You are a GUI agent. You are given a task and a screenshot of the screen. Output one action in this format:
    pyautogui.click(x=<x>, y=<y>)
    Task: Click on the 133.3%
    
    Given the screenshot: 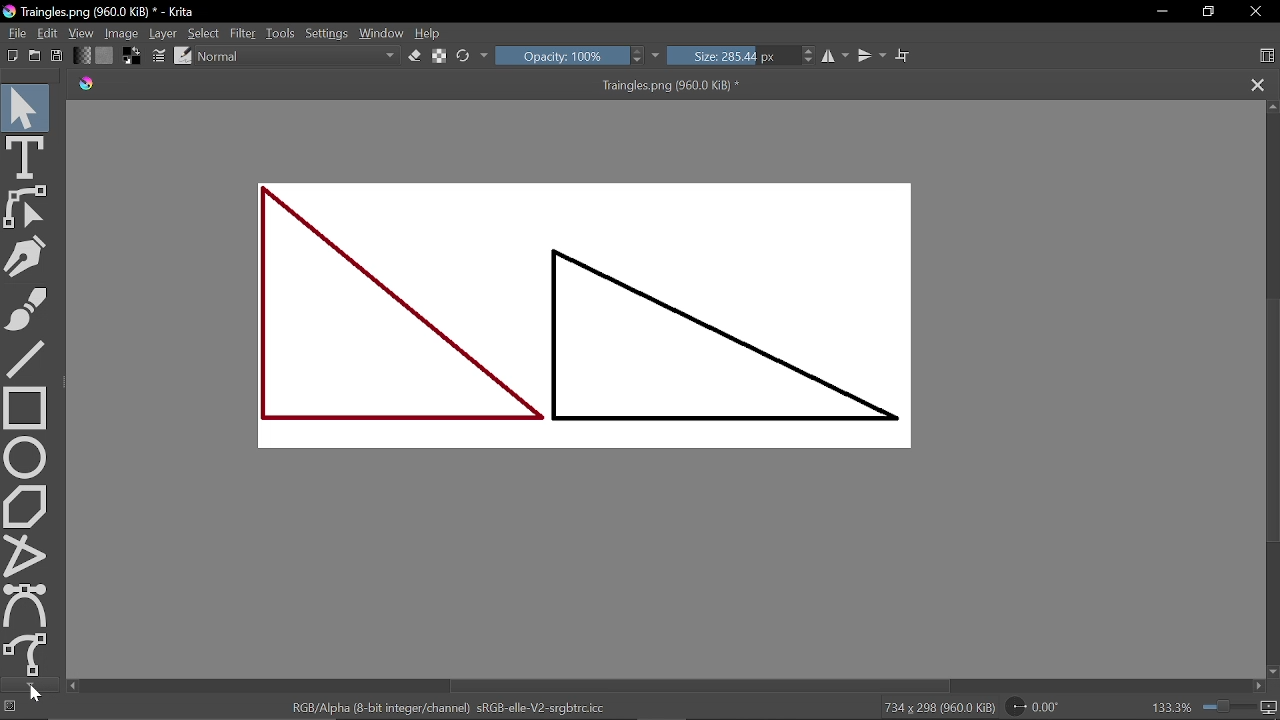 What is the action you would take?
    pyautogui.click(x=1172, y=708)
    